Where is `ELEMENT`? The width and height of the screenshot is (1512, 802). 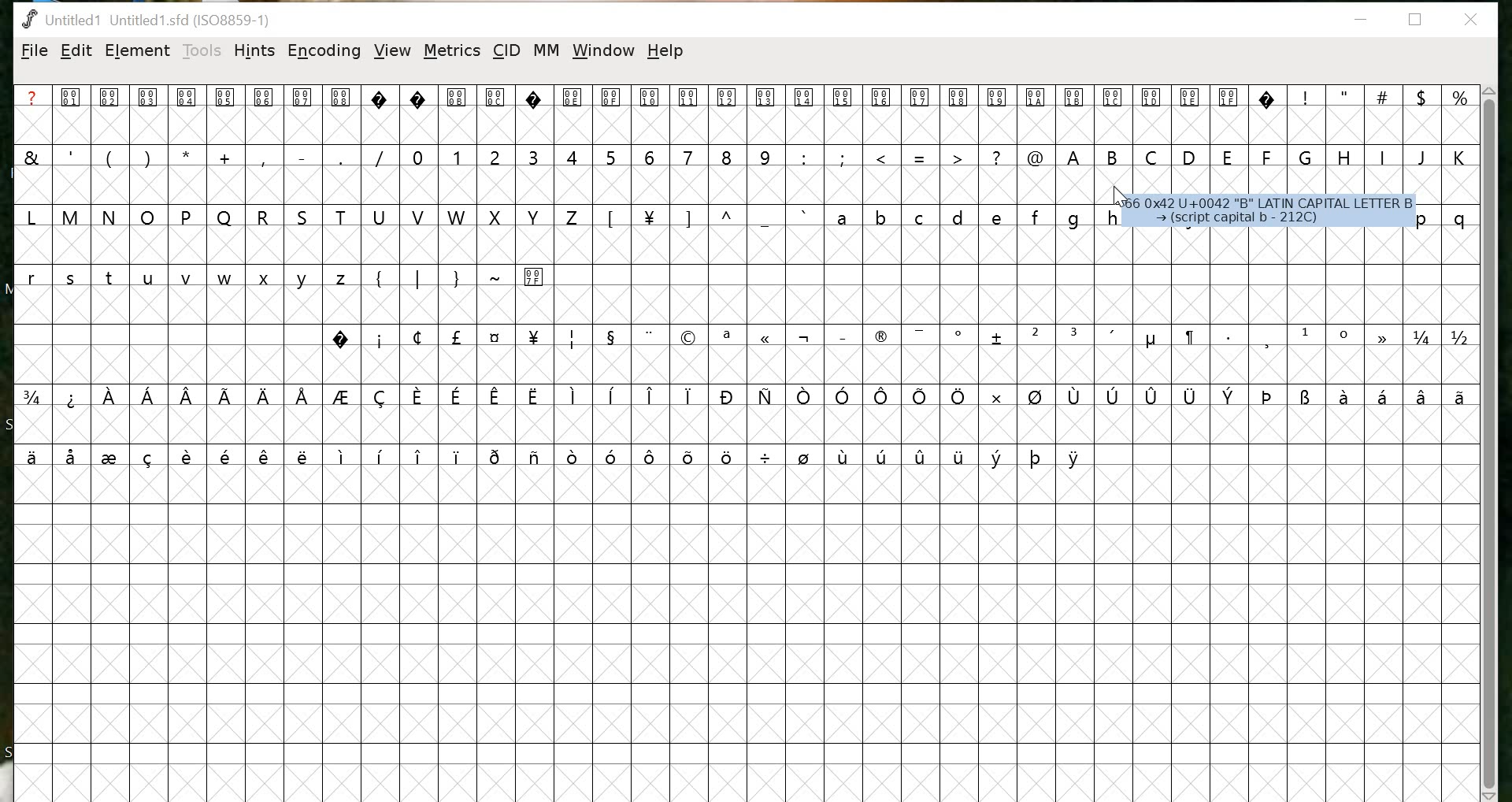
ELEMENT is located at coordinates (137, 52).